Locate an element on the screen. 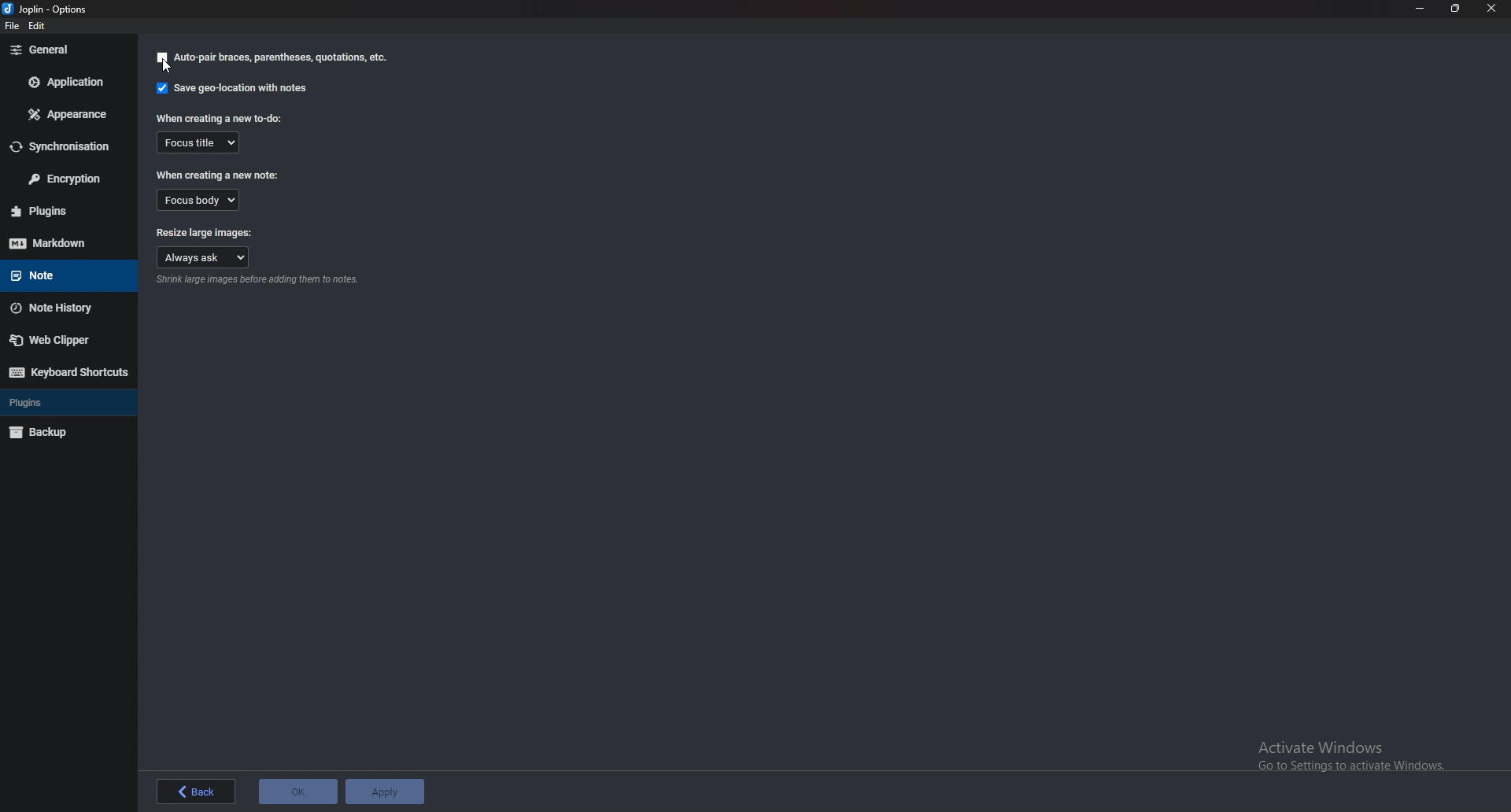 The height and width of the screenshot is (812, 1511). When creating a new note is located at coordinates (222, 174).